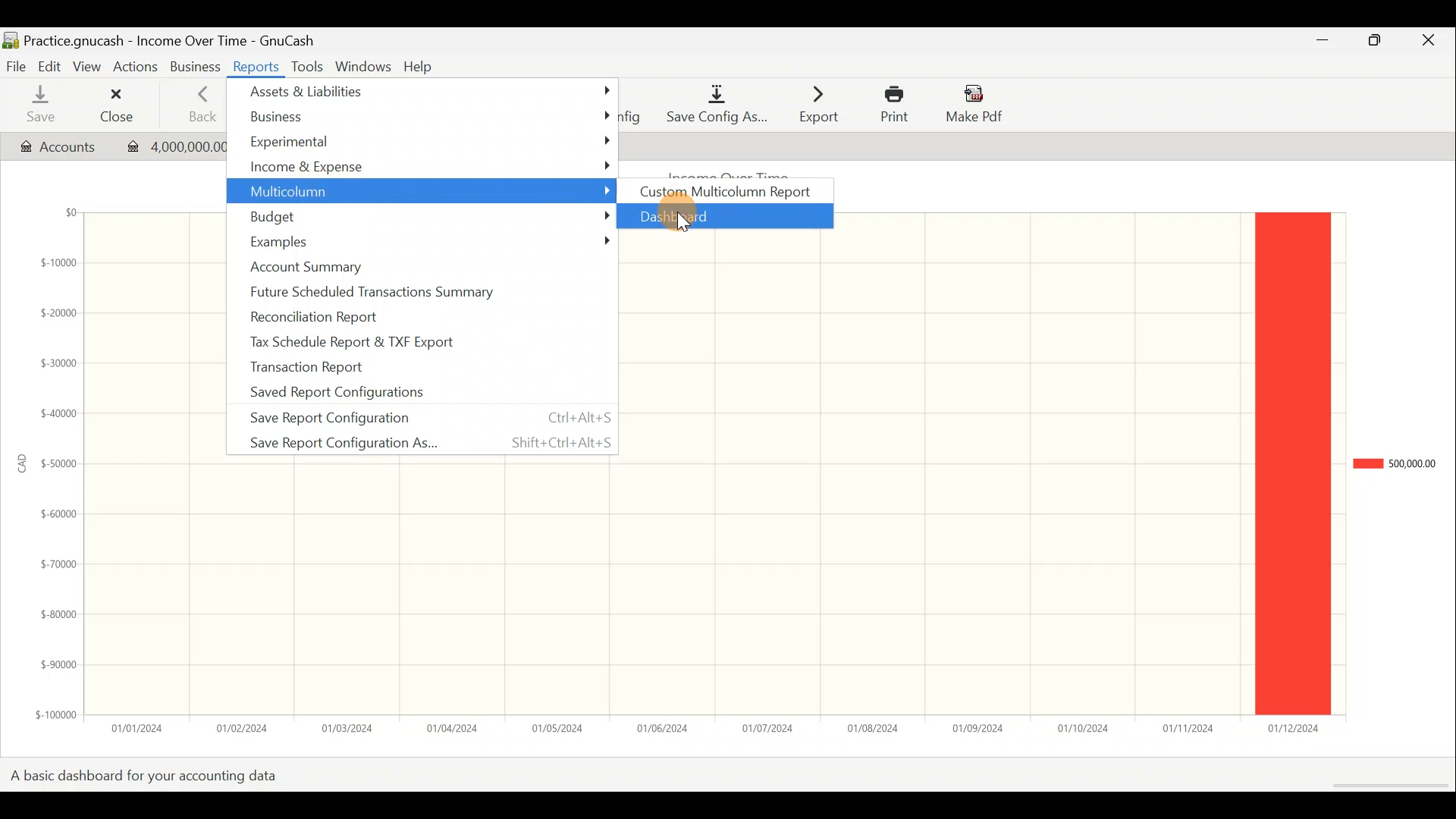 This screenshot has height=819, width=1456. What do you see at coordinates (118, 104) in the screenshot?
I see `Close` at bounding box center [118, 104].